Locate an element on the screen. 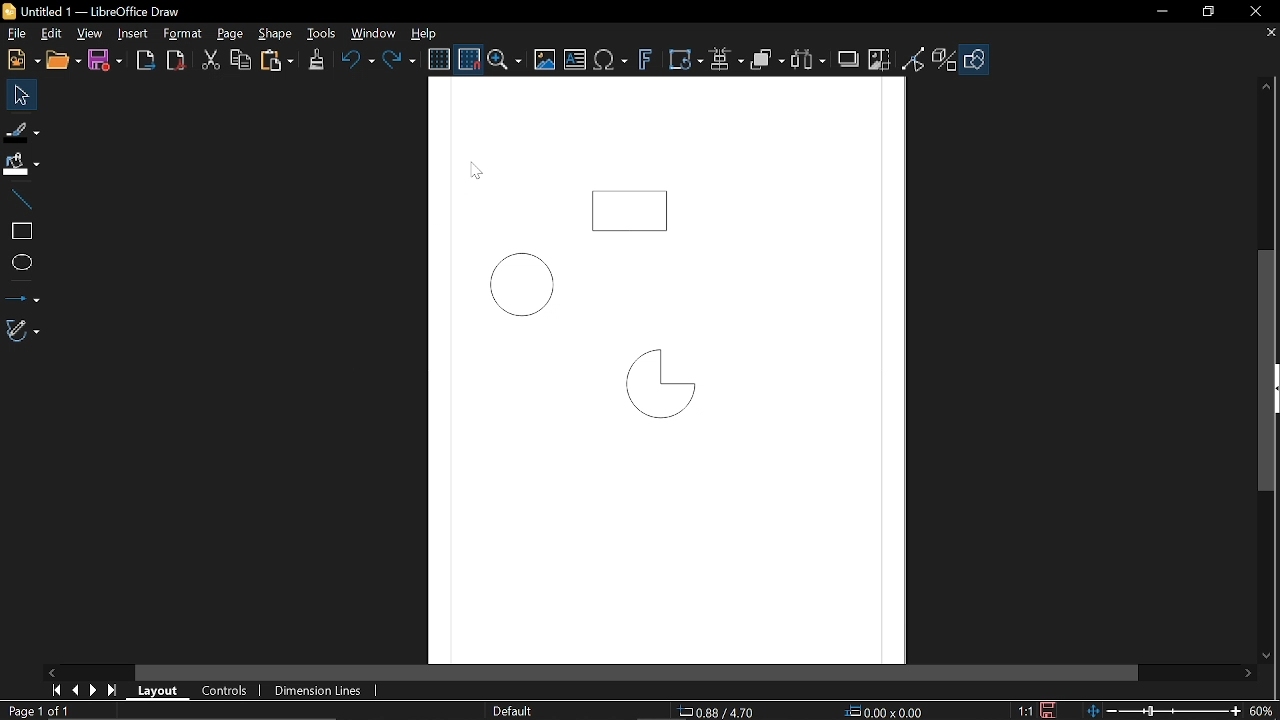 The width and height of the screenshot is (1280, 720). Select is located at coordinates (19, 95).